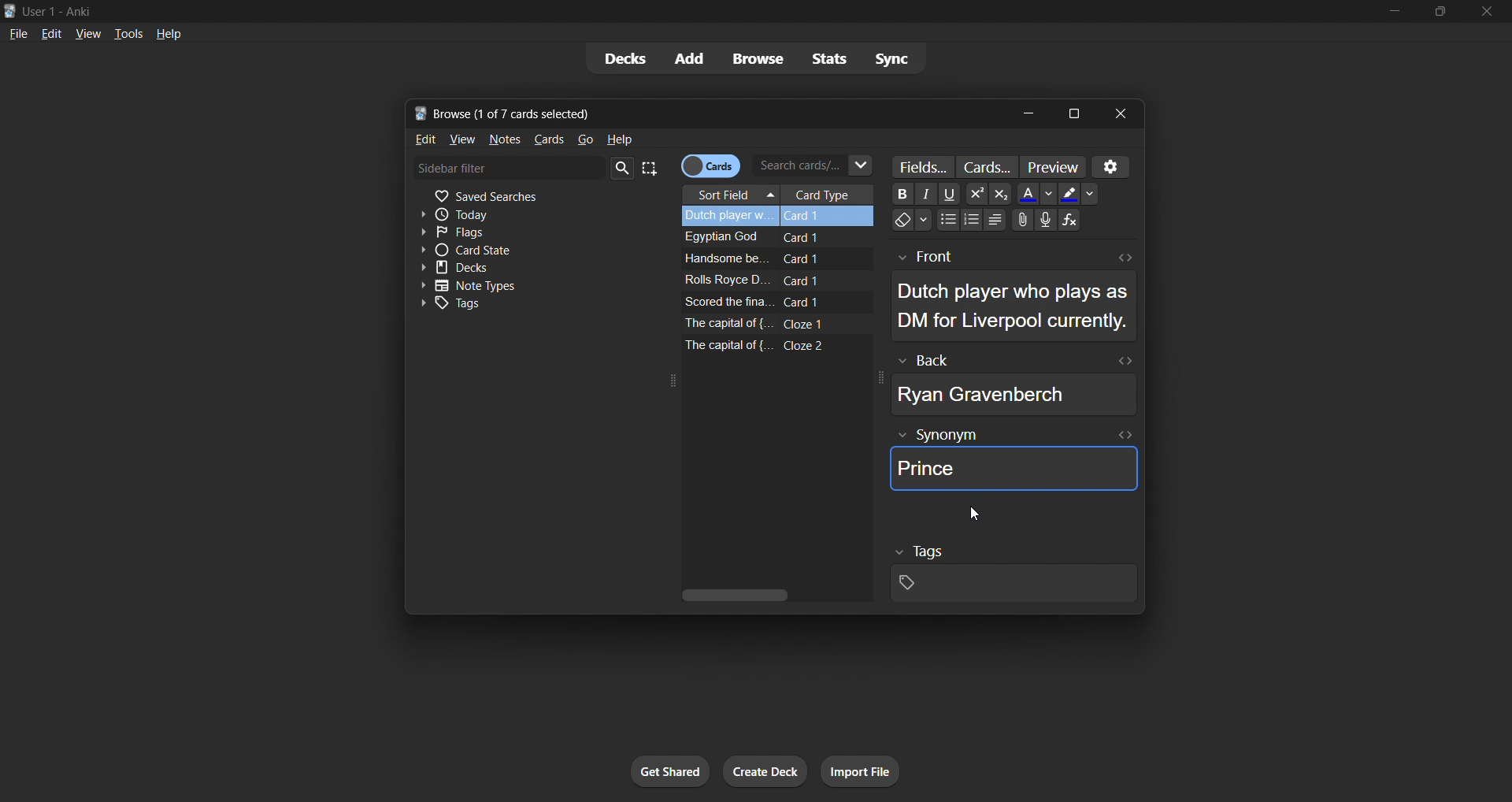 This screenshot has height=802, width=1512. I want to click on create deck, so click(769, 774).